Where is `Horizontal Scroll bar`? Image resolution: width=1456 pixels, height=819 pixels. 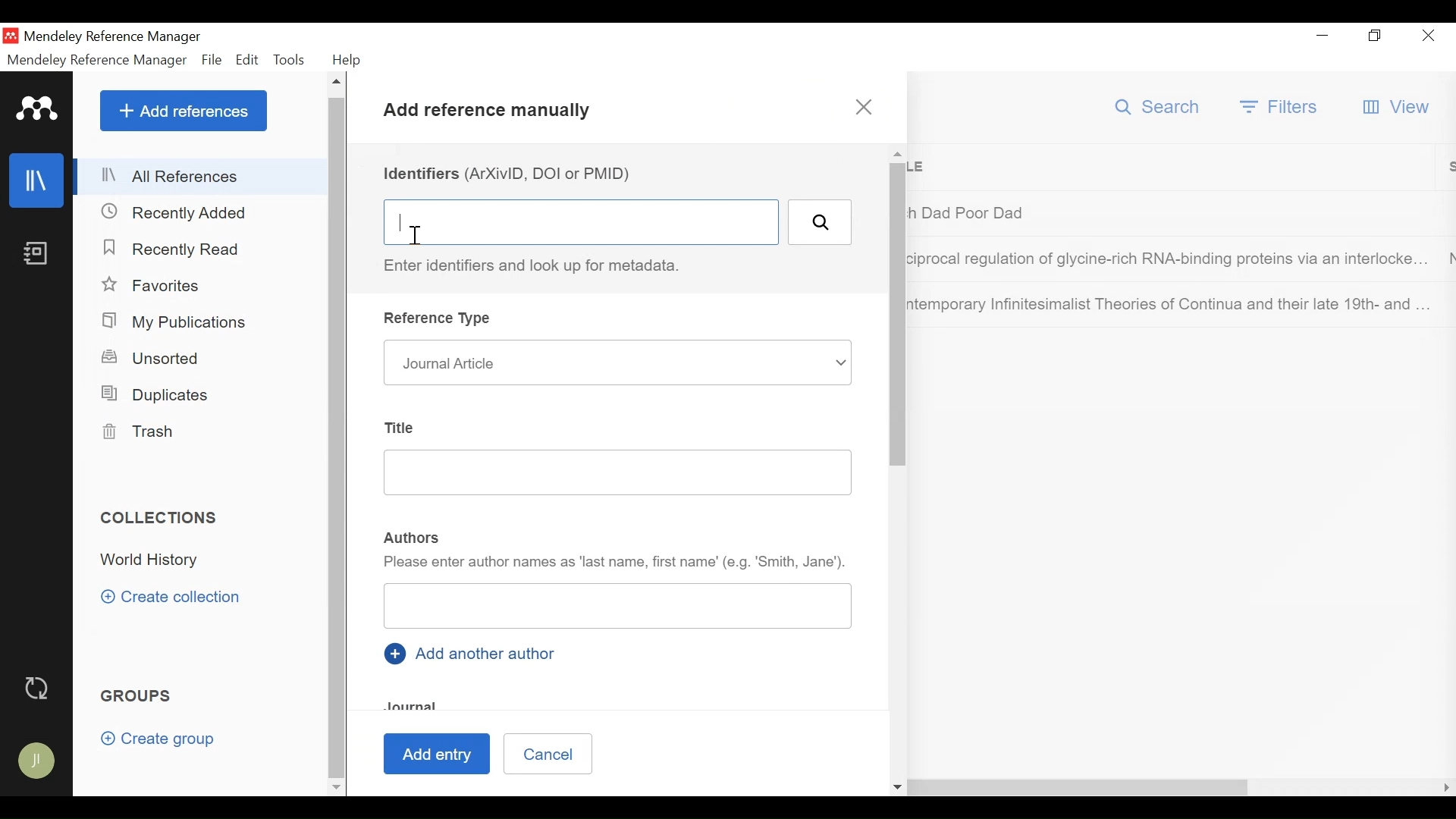 Horizontal Scroll bar is located at coordinates (814, 787).